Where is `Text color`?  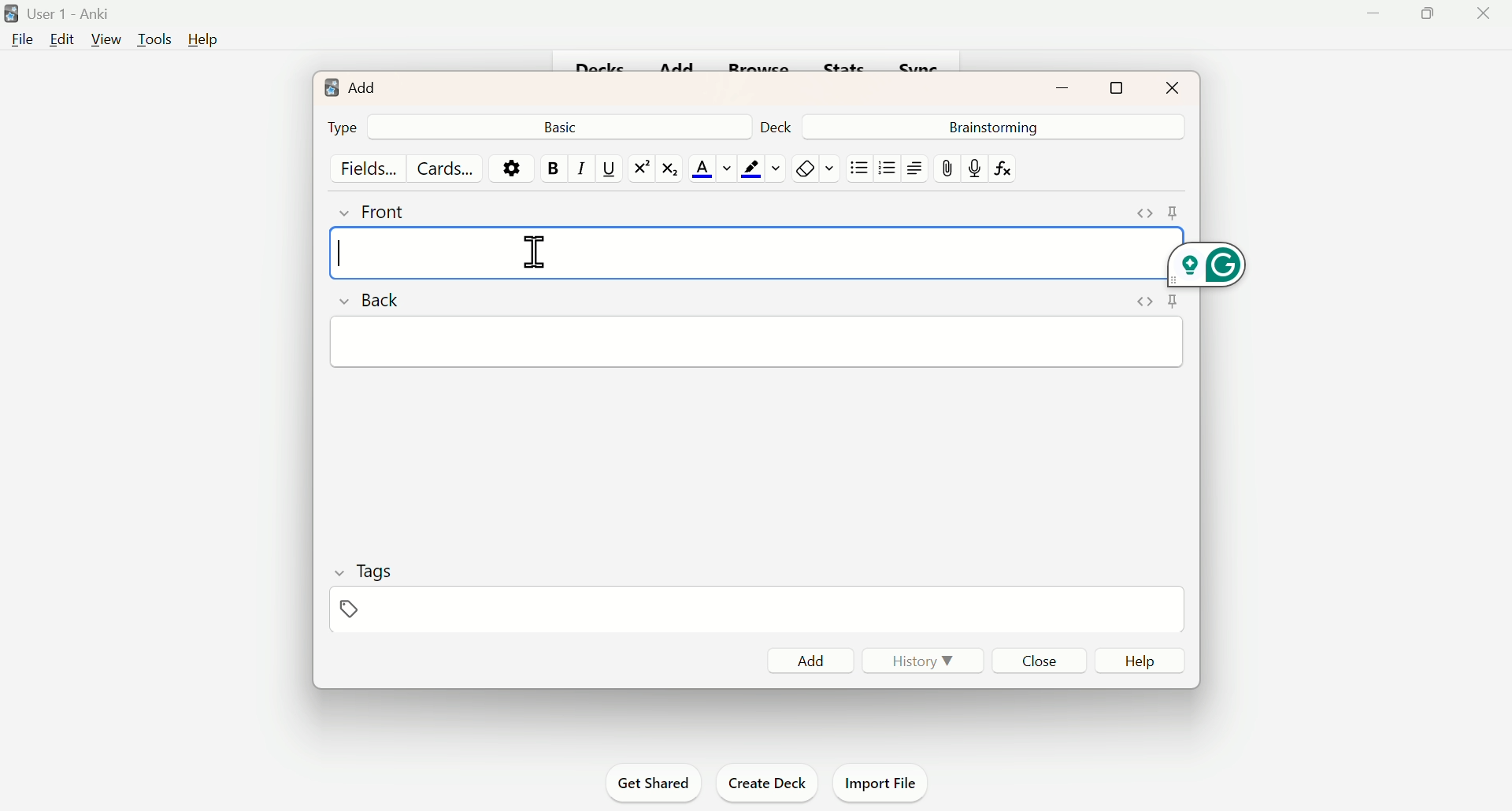 Text color is located at coordinates (712, 168).